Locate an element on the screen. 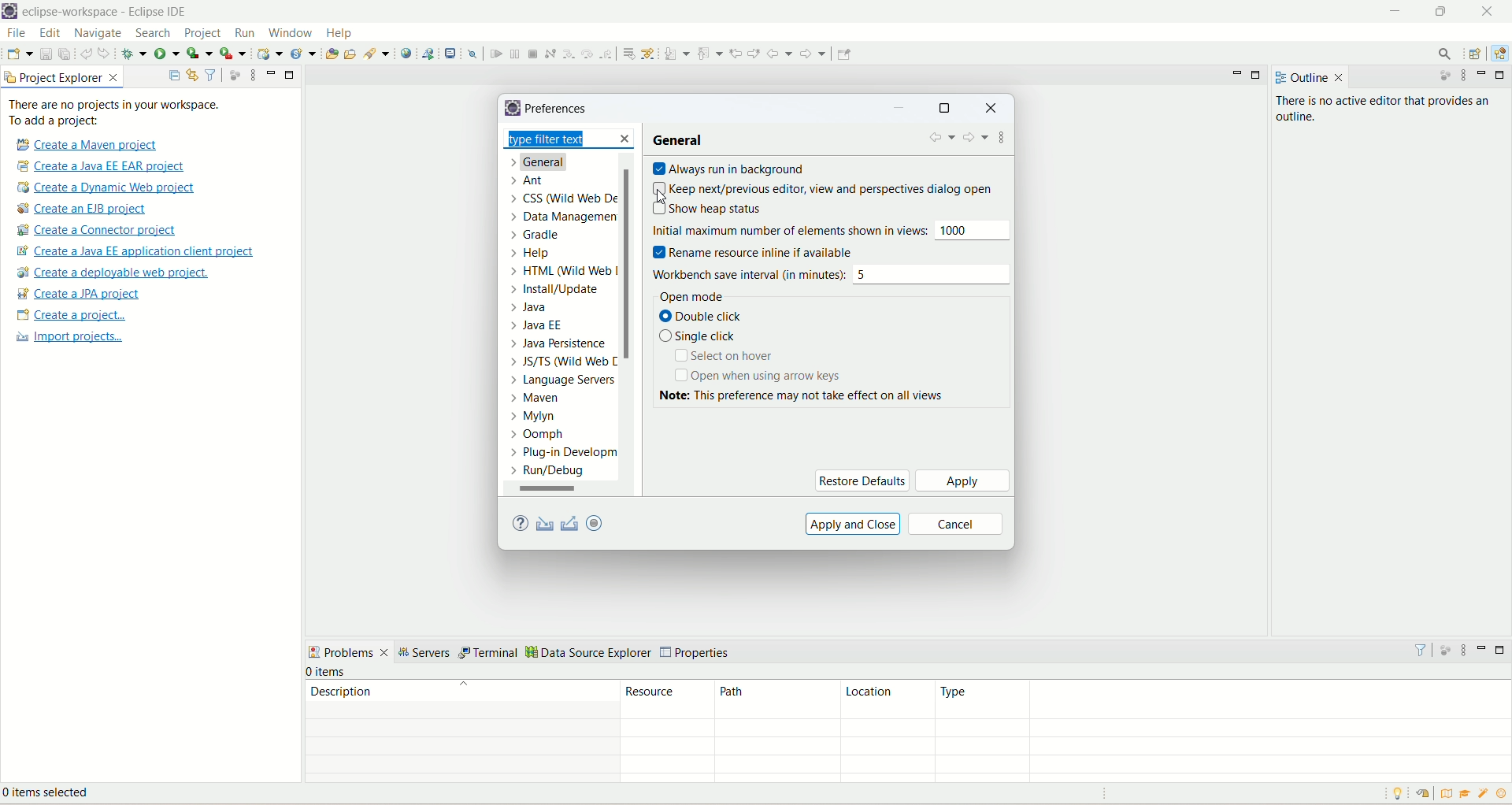  description is located at coordinates (461, 691).